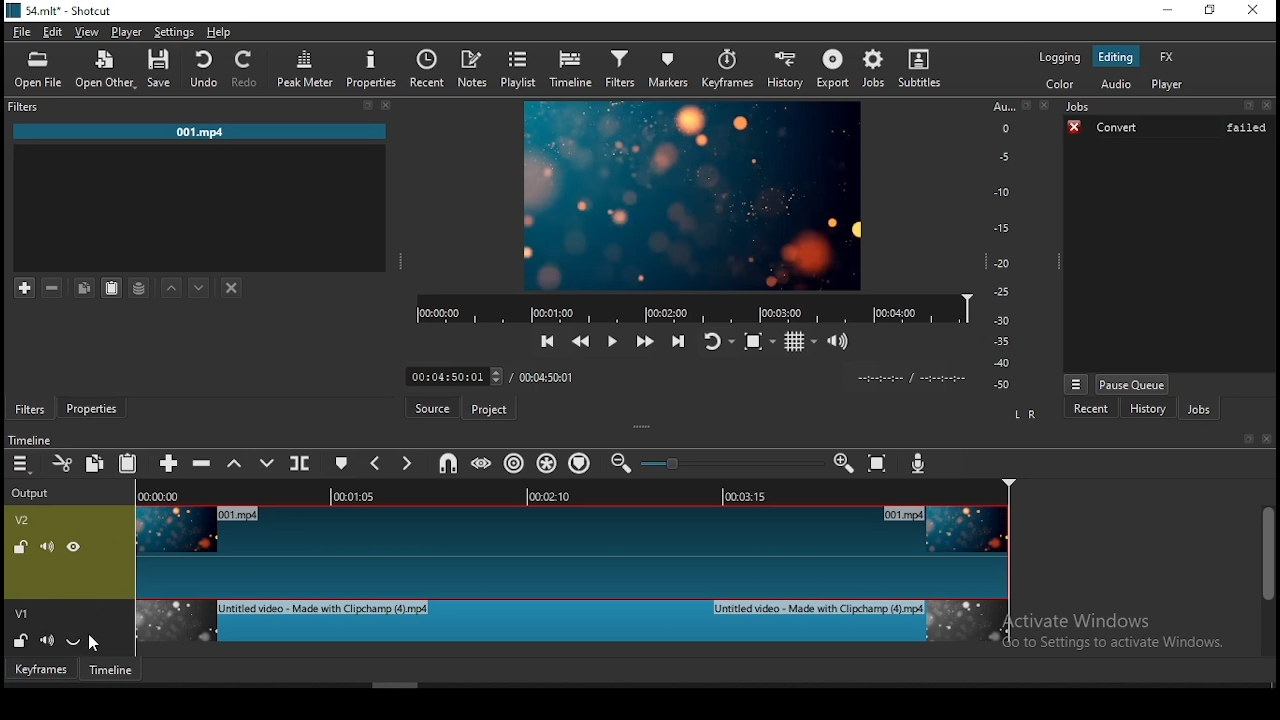 Image resolution: width=1280 pixels, height=720 pixels. I want to click on save filter set, so click(140, 286).